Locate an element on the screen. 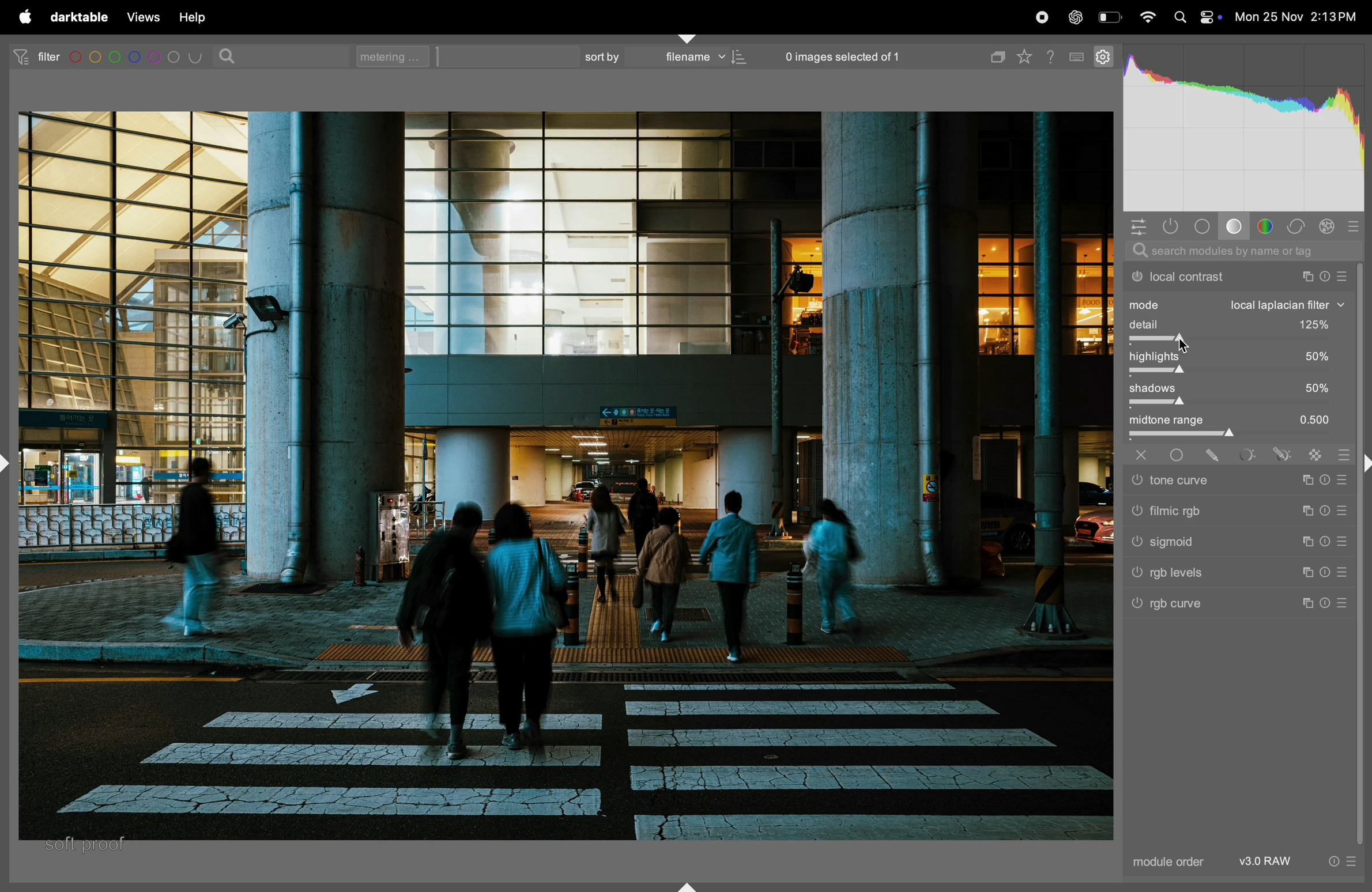 The width and height of the screenshot is (1372, 892). keyboard shortcuts is located at coordinates (1077, 58).